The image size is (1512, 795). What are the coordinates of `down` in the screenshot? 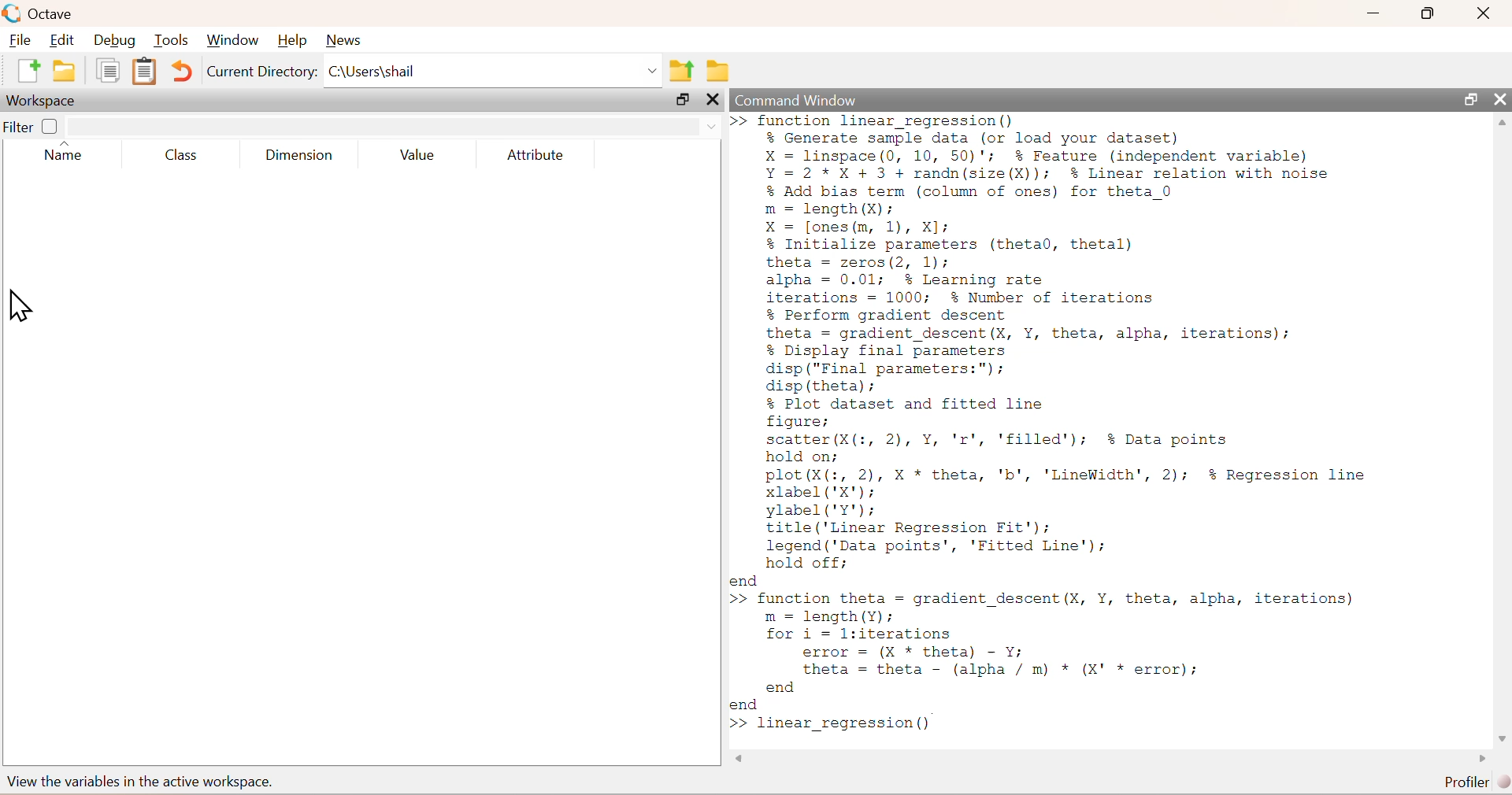 It's located at (712, 127).